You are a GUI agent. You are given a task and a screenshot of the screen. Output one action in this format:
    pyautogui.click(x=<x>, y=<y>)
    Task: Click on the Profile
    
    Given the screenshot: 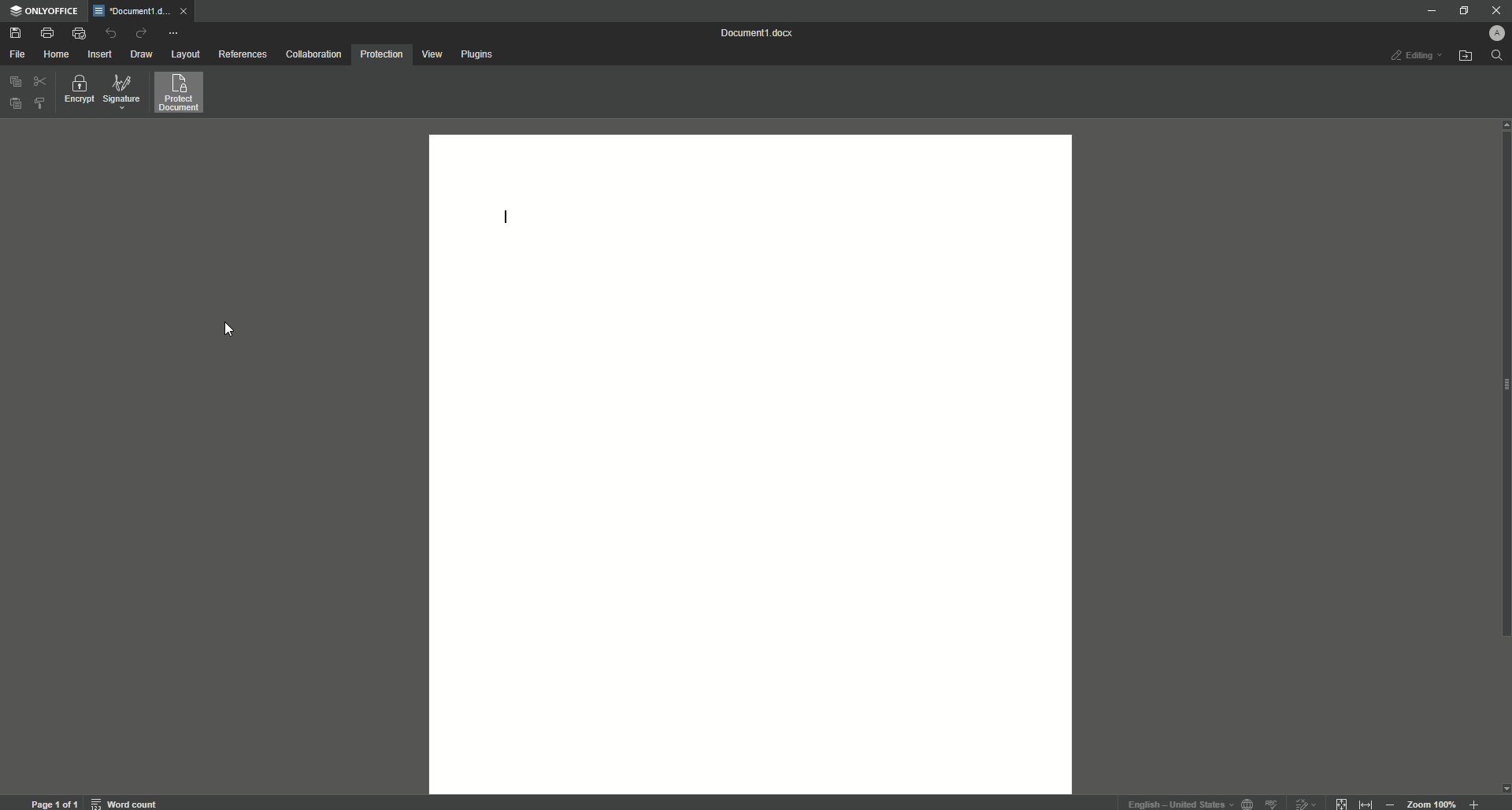 What is the action you would take?
    pyautogui.click(x=1490, y=32)
    